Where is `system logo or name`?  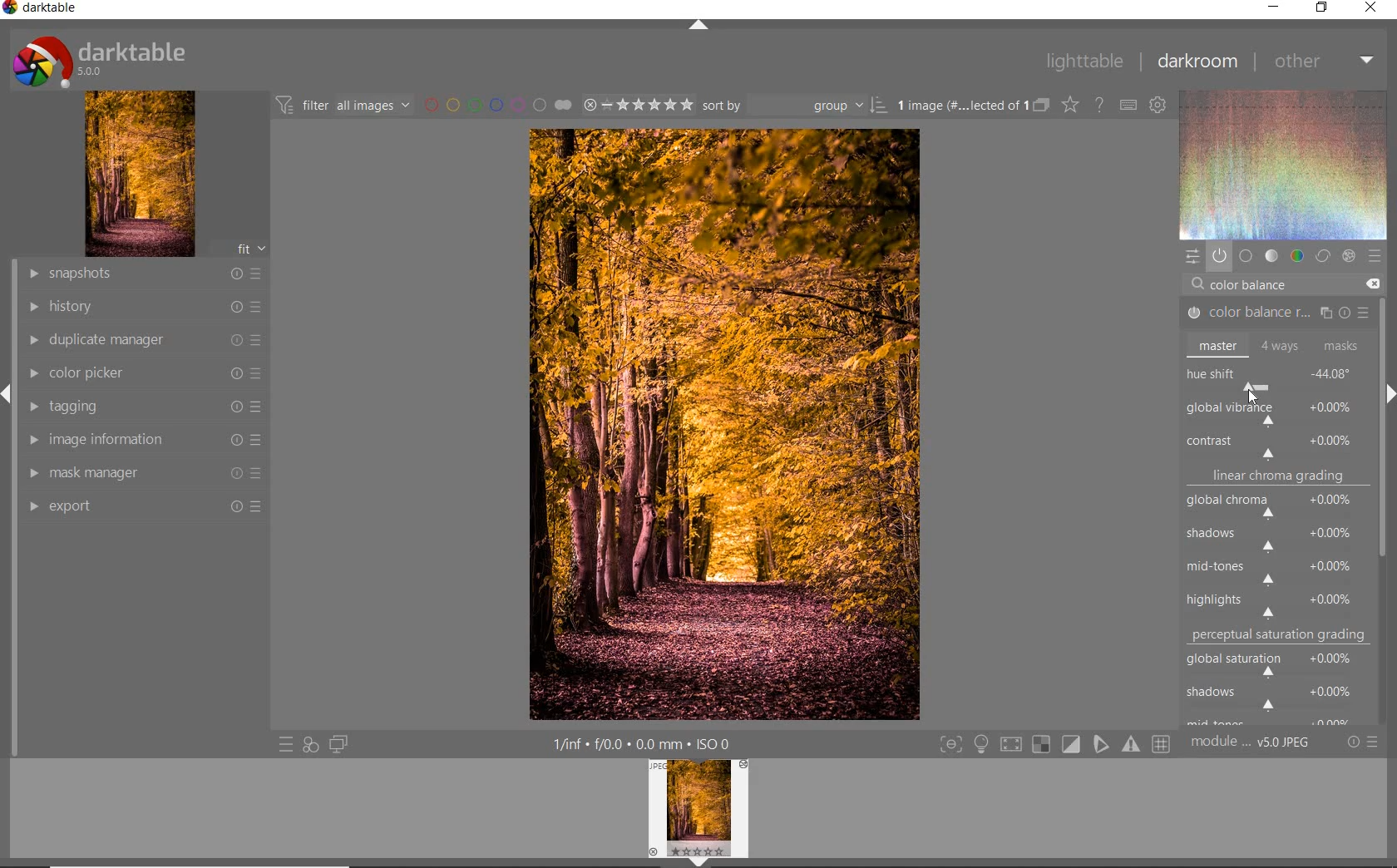 system logo or name is located at coordinates (106, 60).